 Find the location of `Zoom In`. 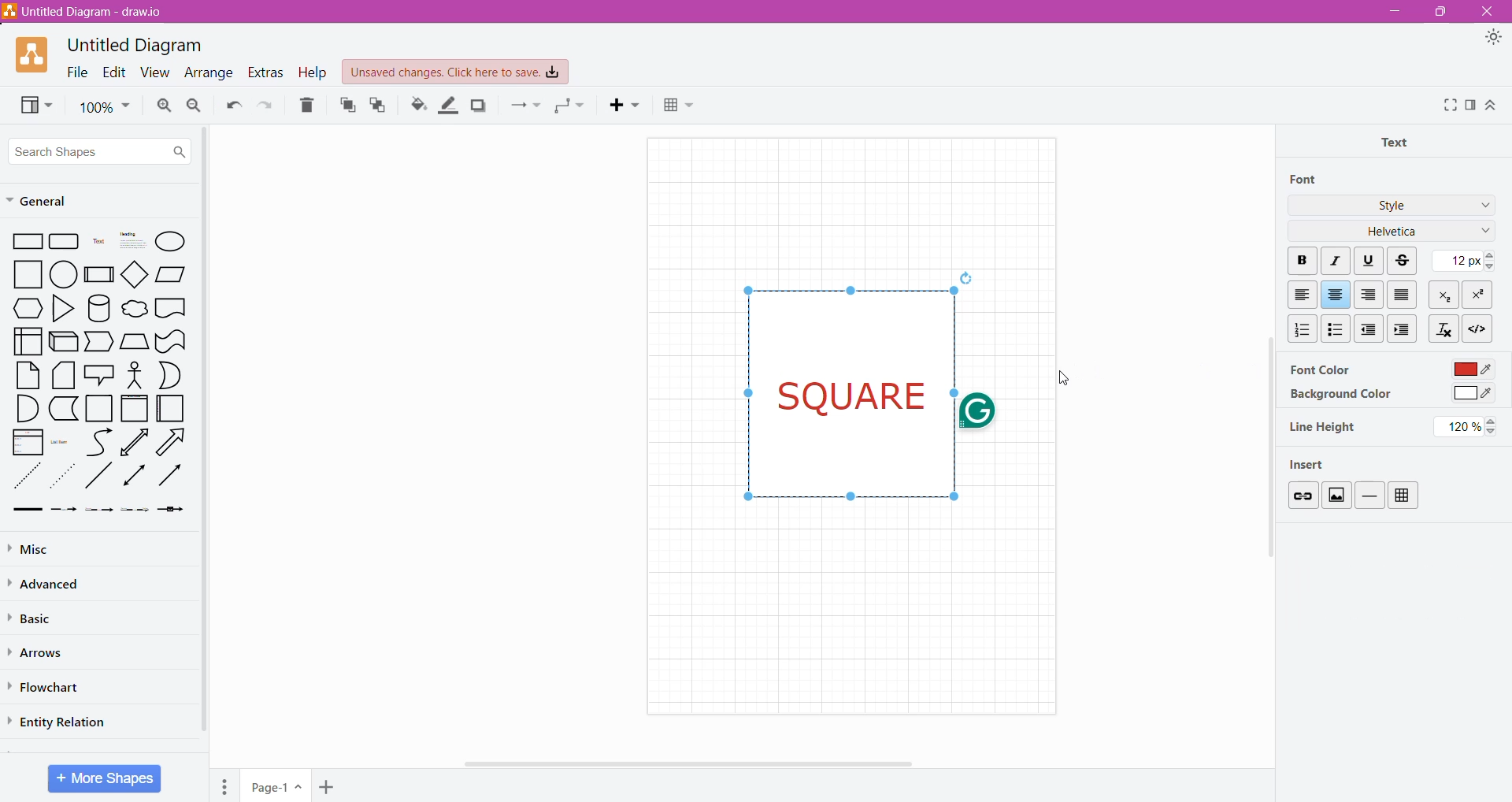

Zoom In is located at coordinates (164, 104).